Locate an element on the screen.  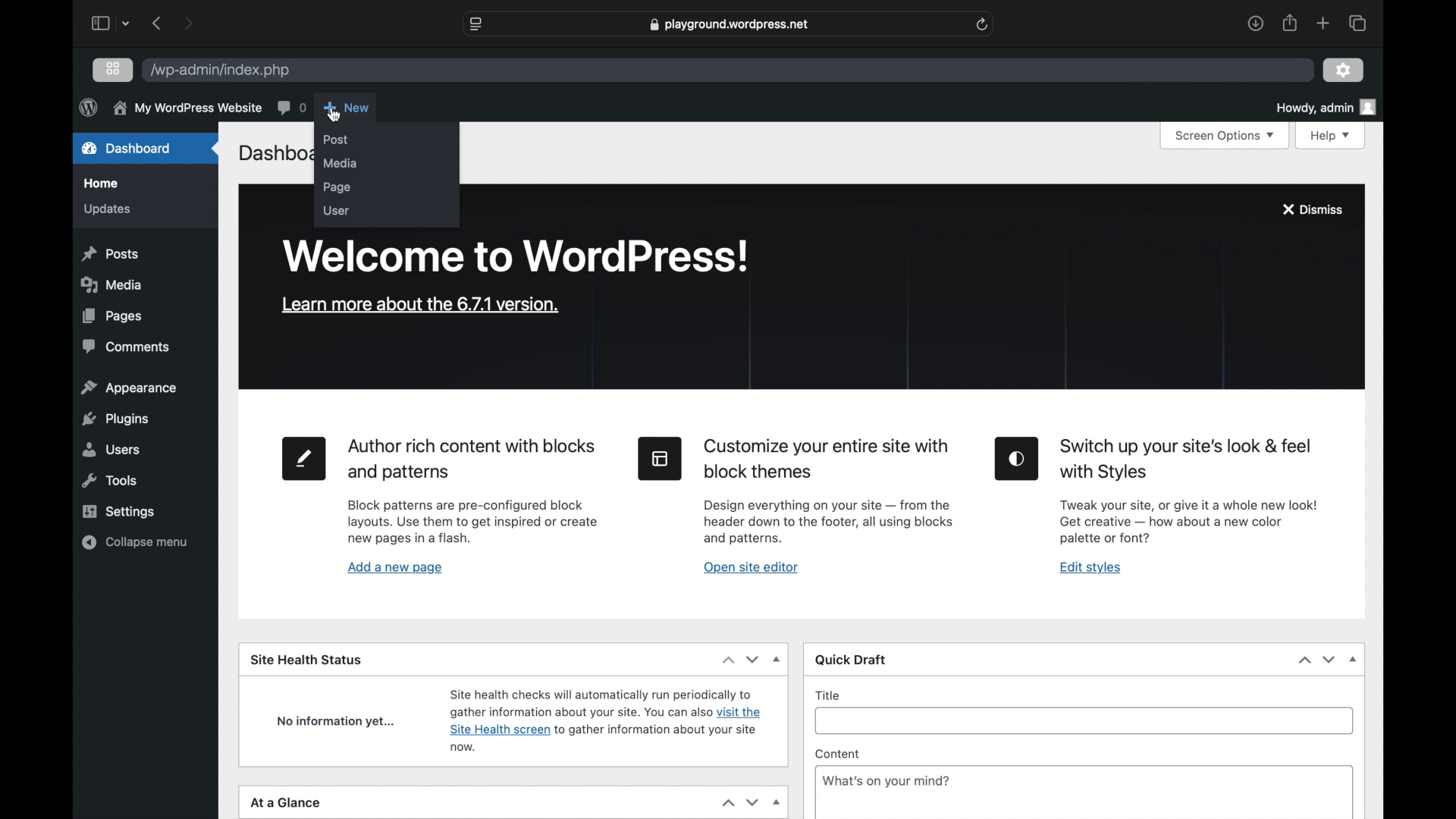
add a new page is located at coordinates (396, 569).